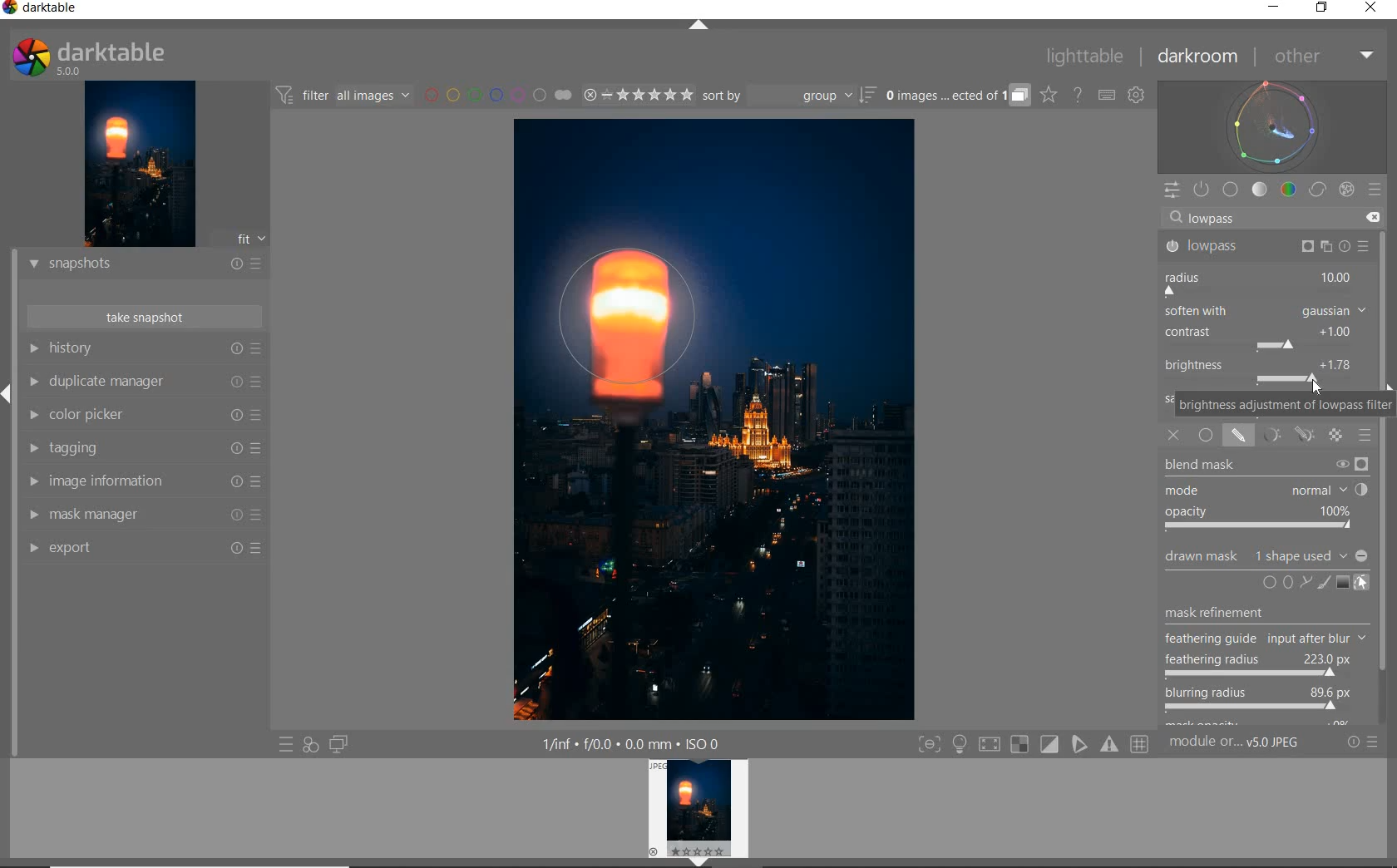  Describe the element at coordinates (1271, 8) in the screenshot. I see `MINIMIZE` at that location.